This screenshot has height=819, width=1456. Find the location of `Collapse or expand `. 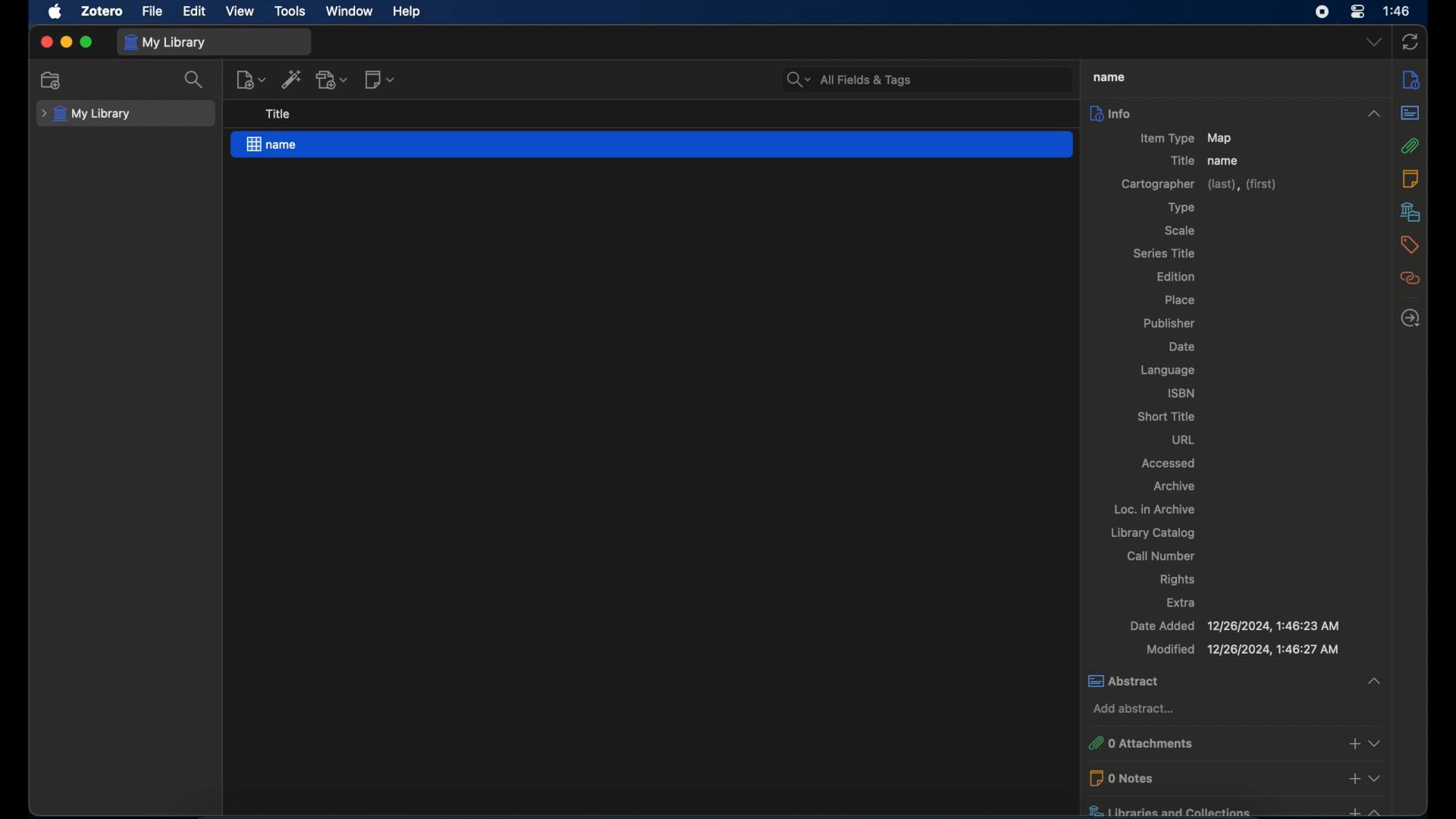

Collapse or expand  is located at coordinates (1373, 115).